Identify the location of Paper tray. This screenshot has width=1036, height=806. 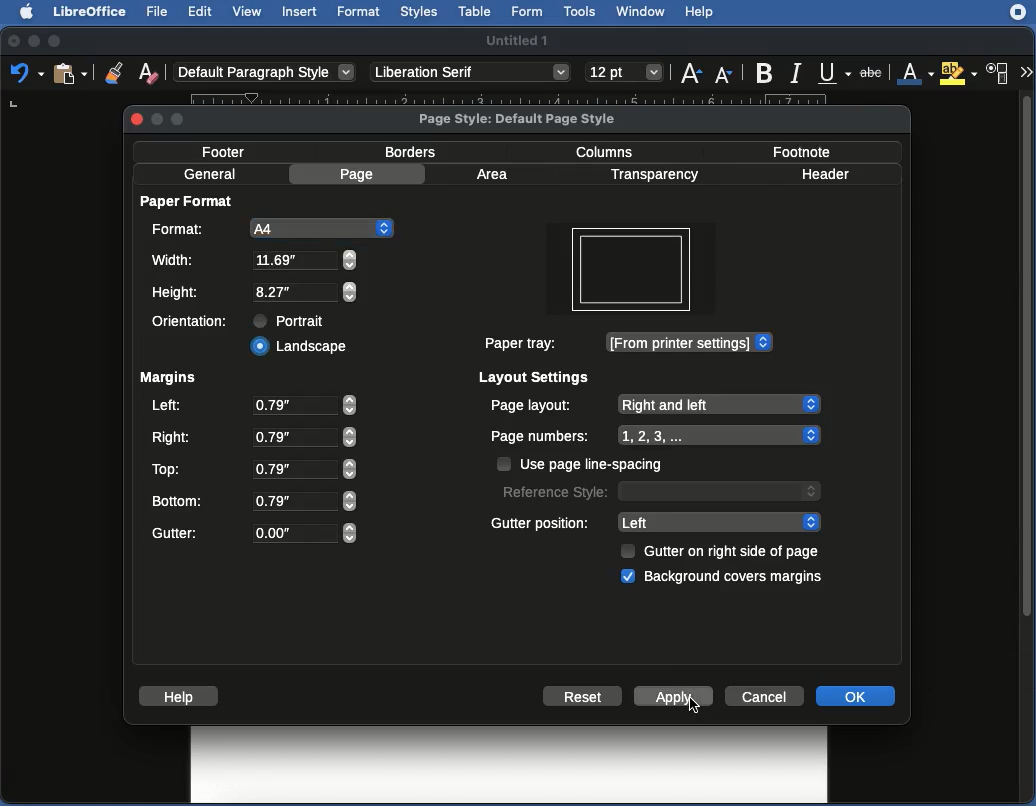
(524, 342).